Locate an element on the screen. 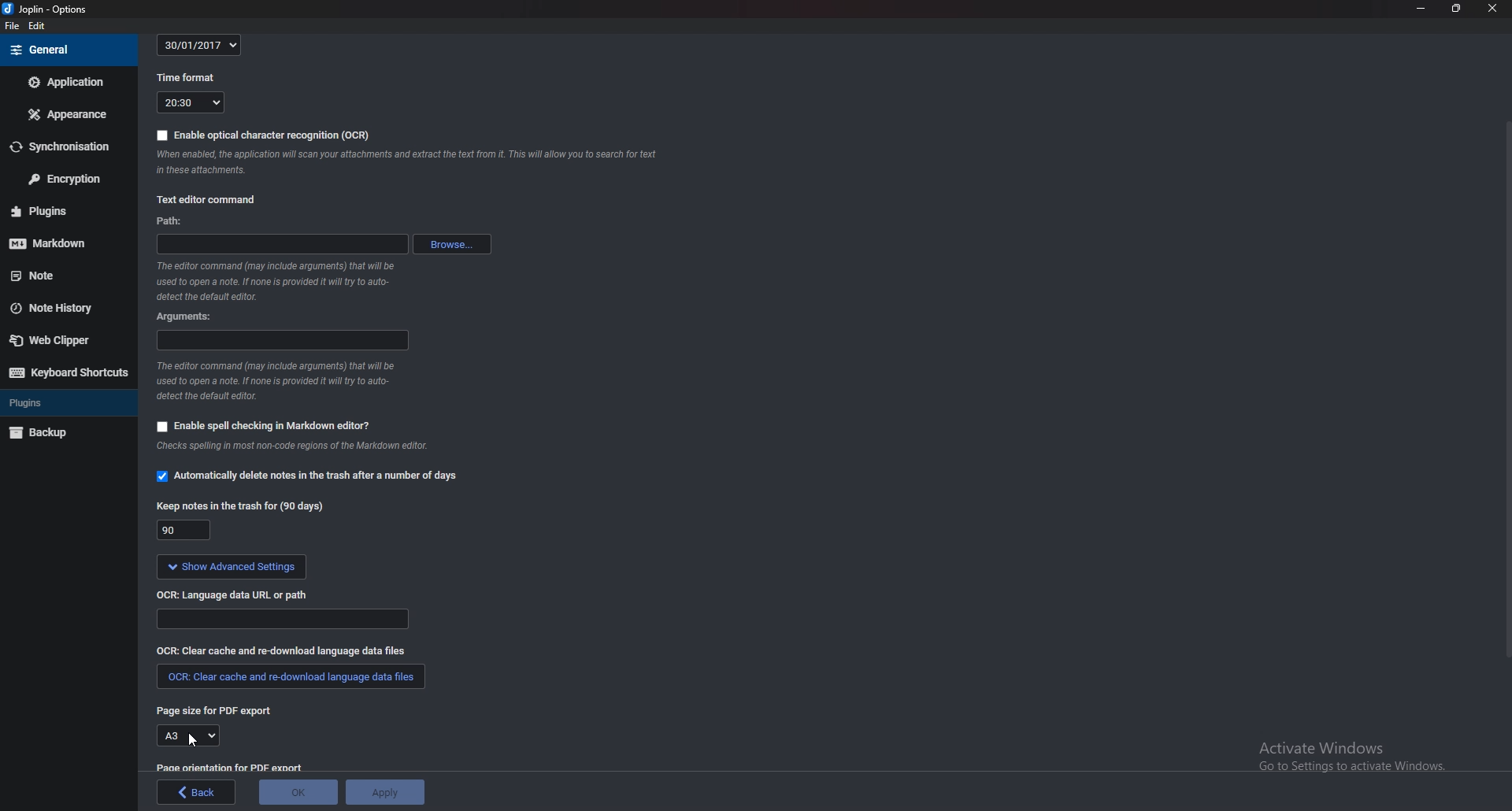  Time format is located at coordinates (189, 78).